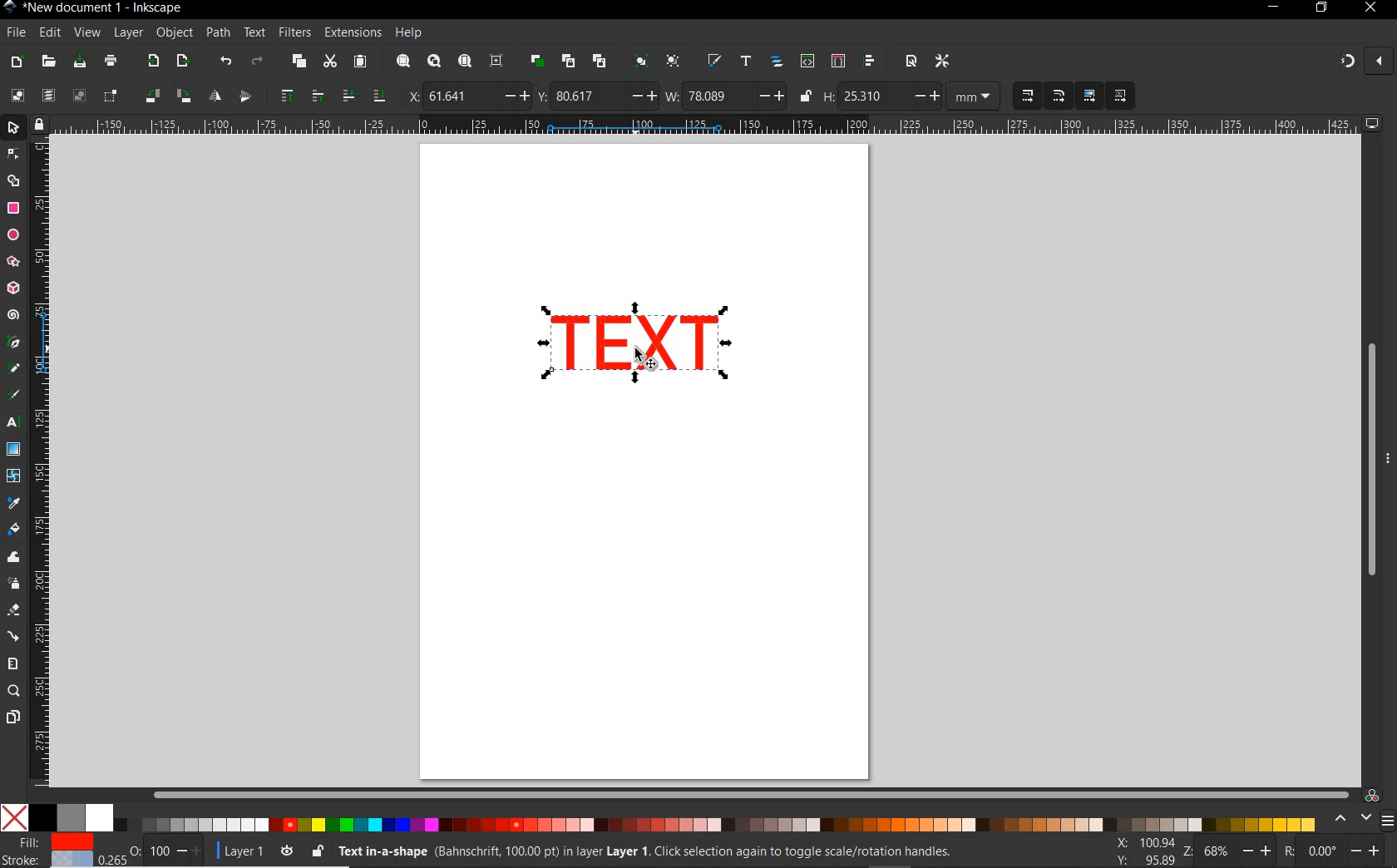  I want to click on undo, so click(225, 62).